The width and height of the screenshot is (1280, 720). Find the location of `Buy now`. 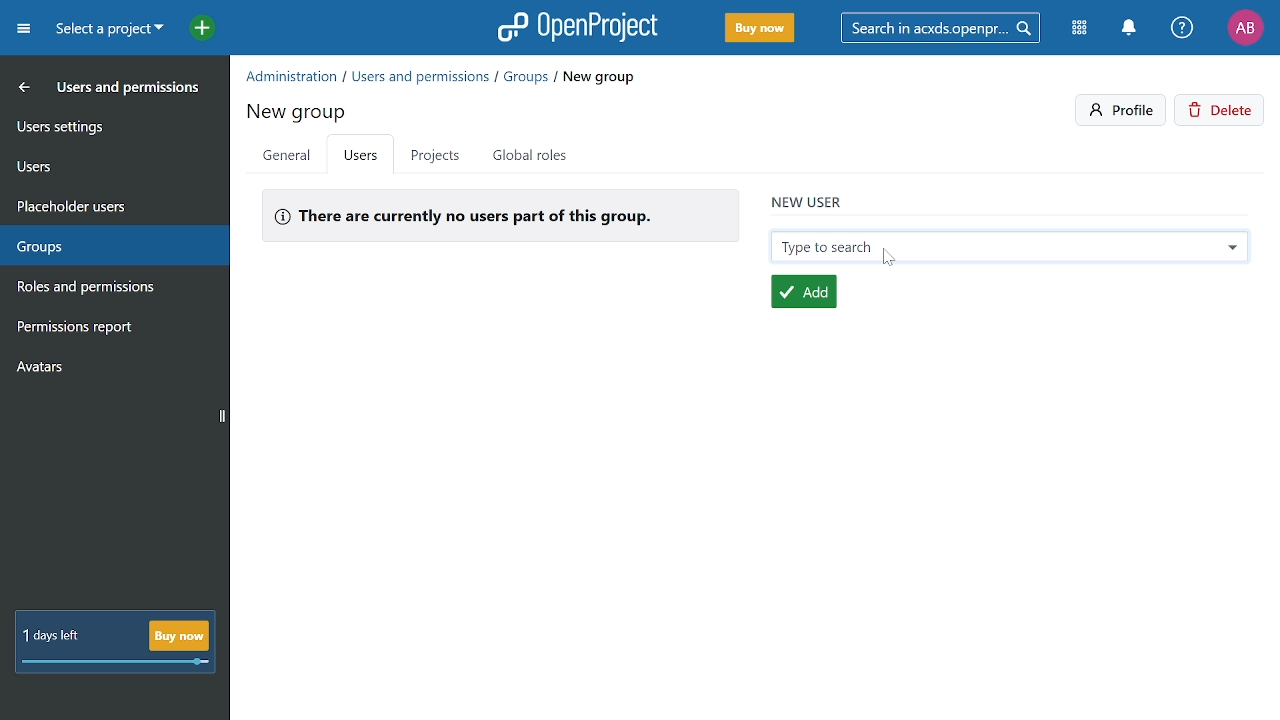

Buy now is located at coordinates (758, 29).